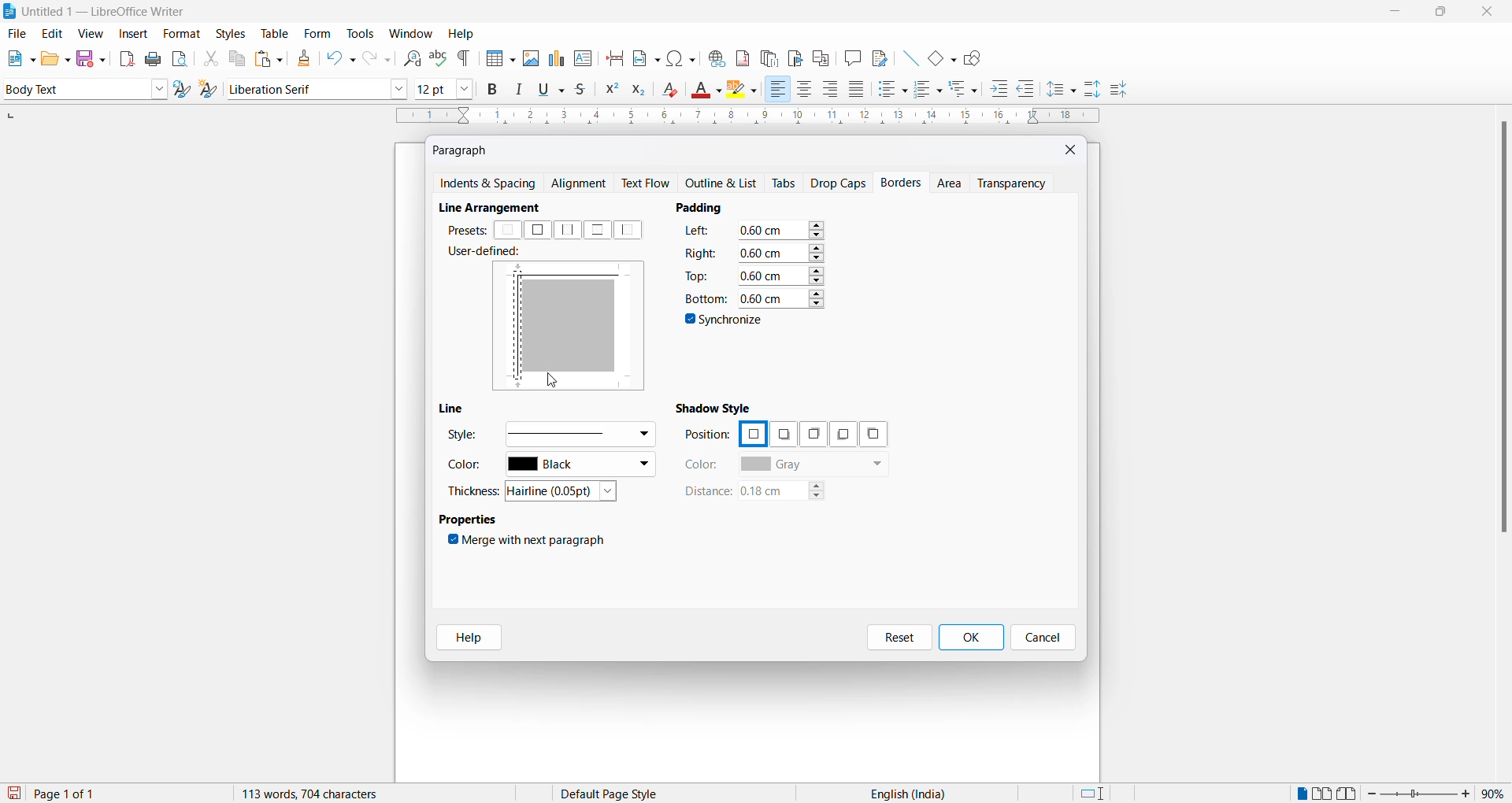  What do you see at coordinates (899, 638) in the screenshot?
I see `reset` at bounding box center [899, 638].